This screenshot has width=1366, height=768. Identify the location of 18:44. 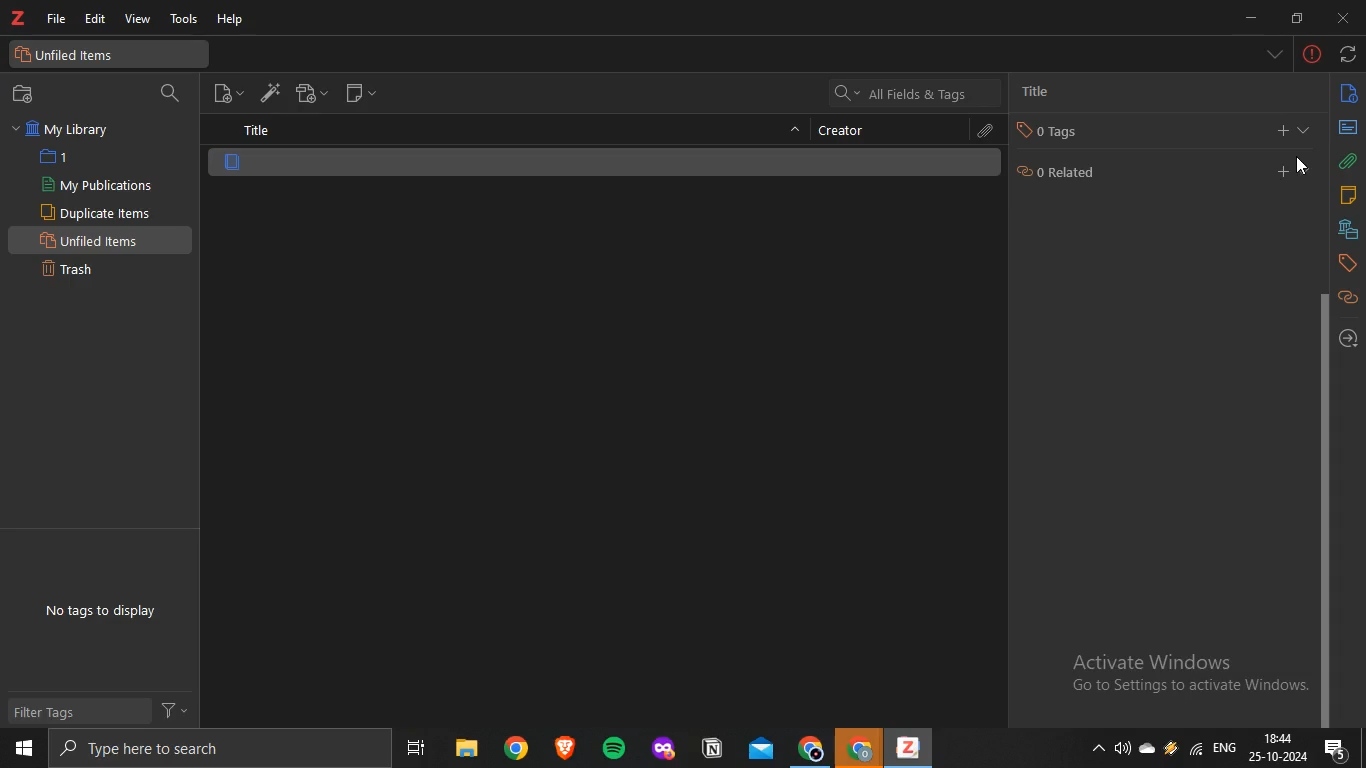
(1274, 736).